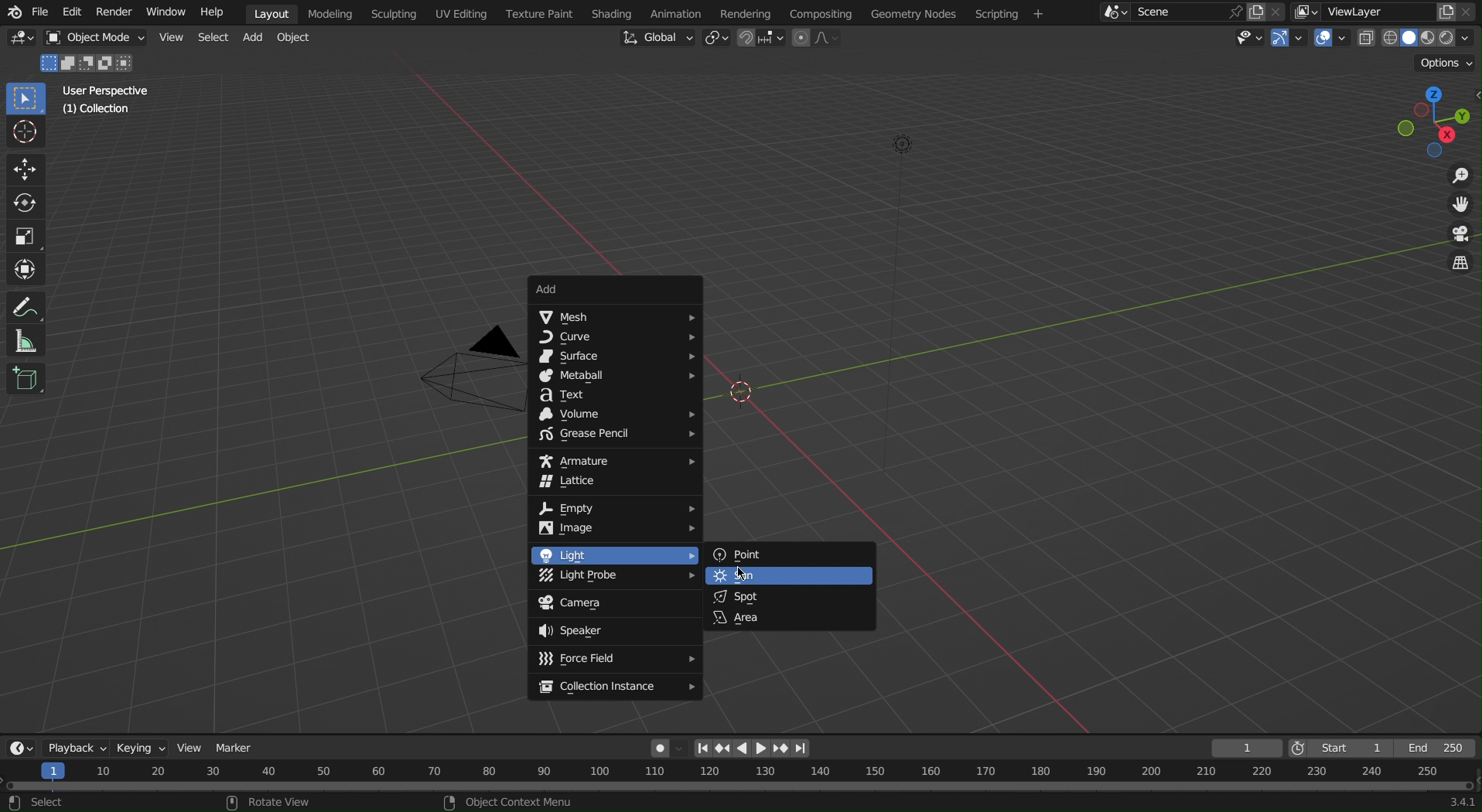  Describe the element at coordinates (1255, 12) in the screenshot. I see `copy` at that location.